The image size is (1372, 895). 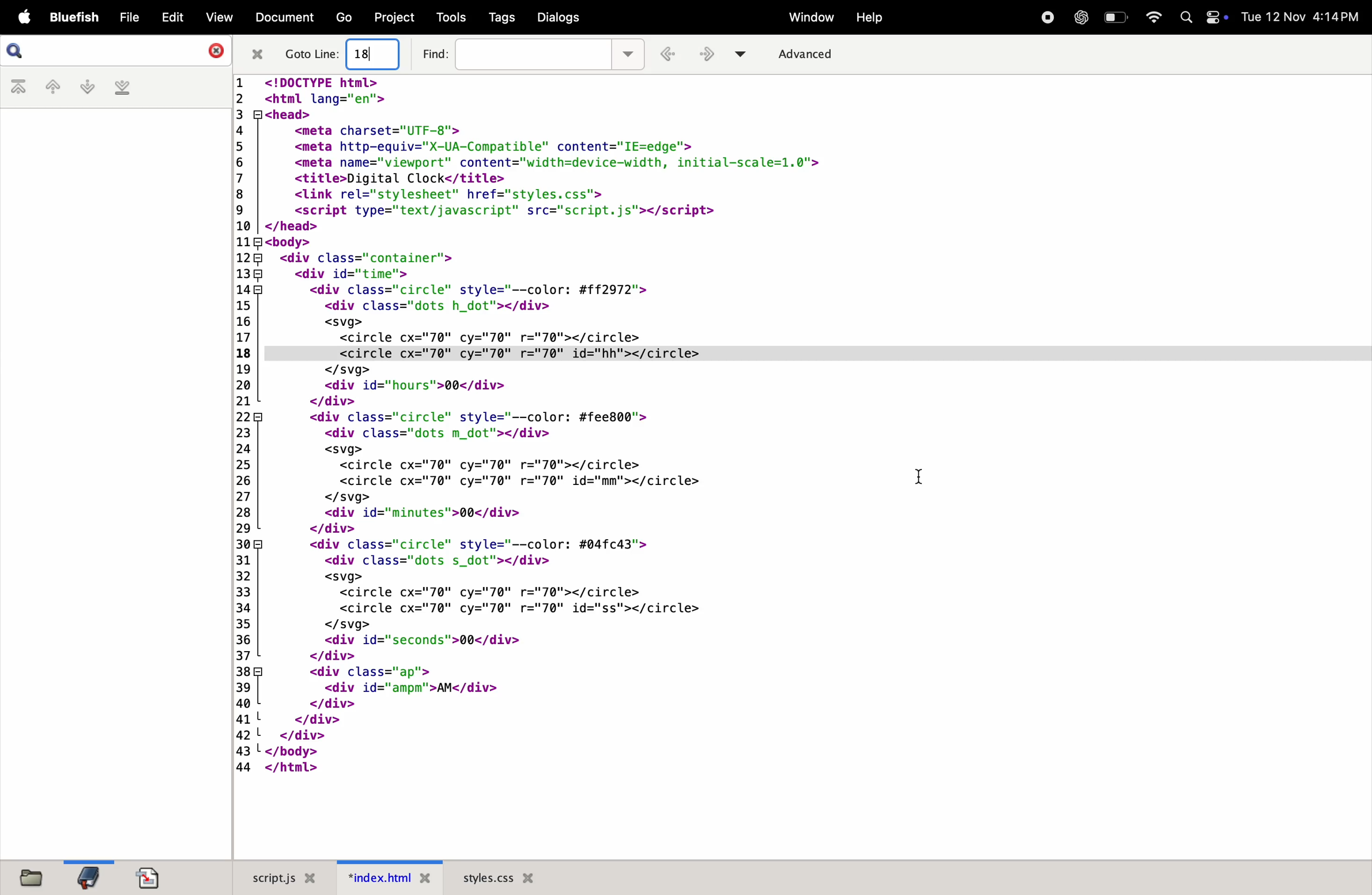 I want to click on document, so click(x=283, y=19).